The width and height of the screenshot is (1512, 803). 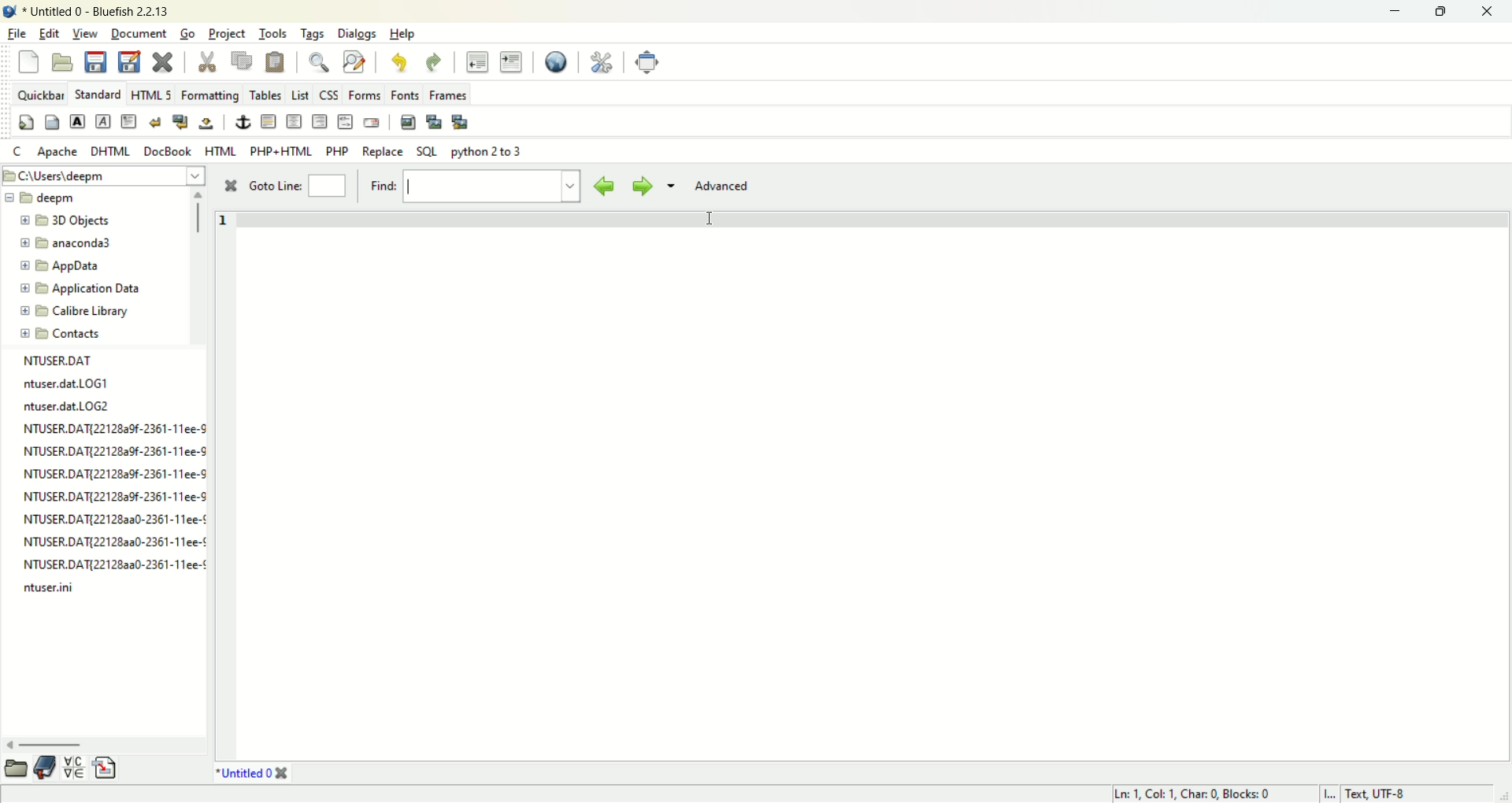 I want to click on forms, so click(x=367, y=95).